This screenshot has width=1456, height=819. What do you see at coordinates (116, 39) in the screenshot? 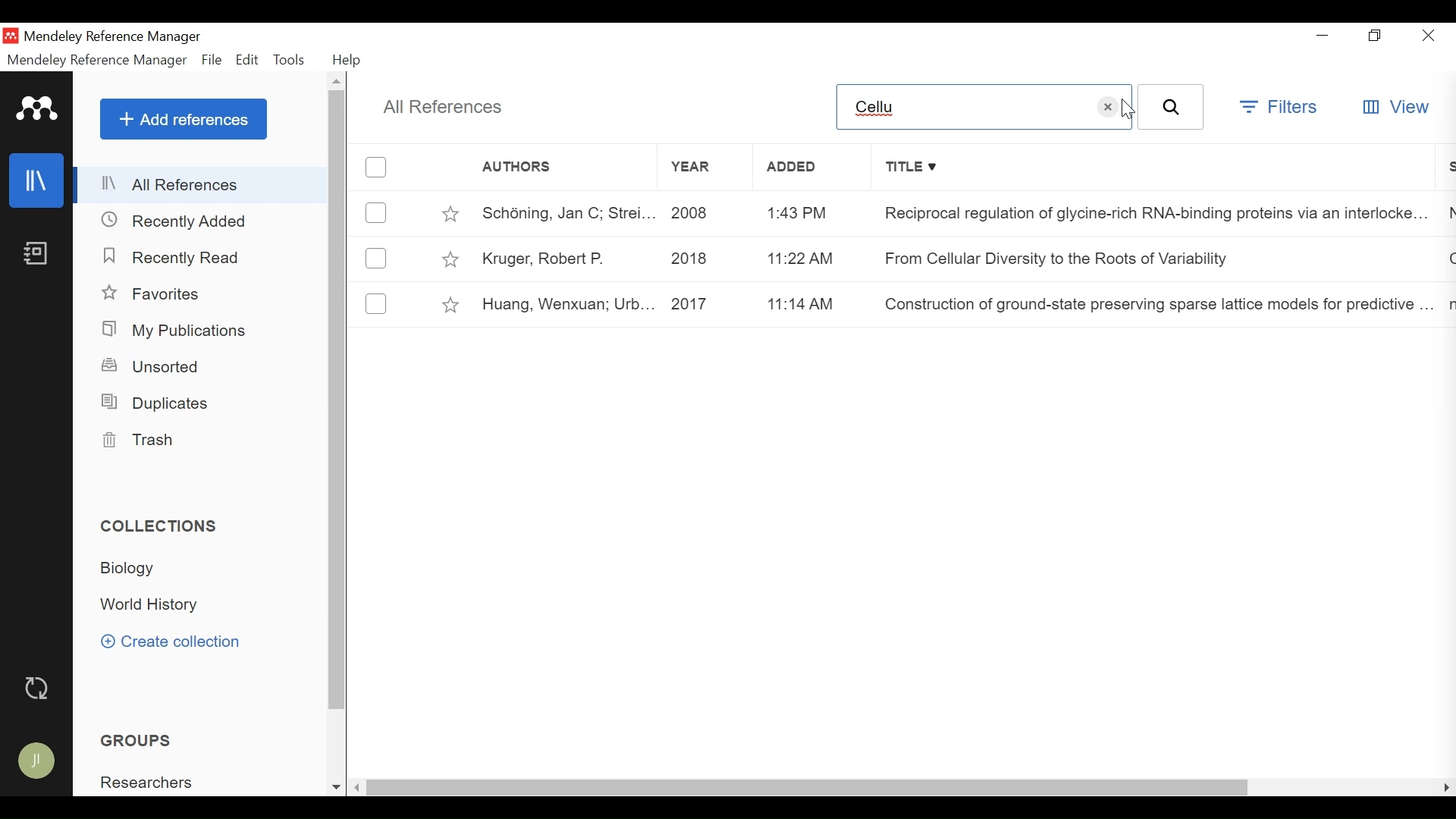
I see `Mendeley Reference Manager` at bounding box center [116, 39].